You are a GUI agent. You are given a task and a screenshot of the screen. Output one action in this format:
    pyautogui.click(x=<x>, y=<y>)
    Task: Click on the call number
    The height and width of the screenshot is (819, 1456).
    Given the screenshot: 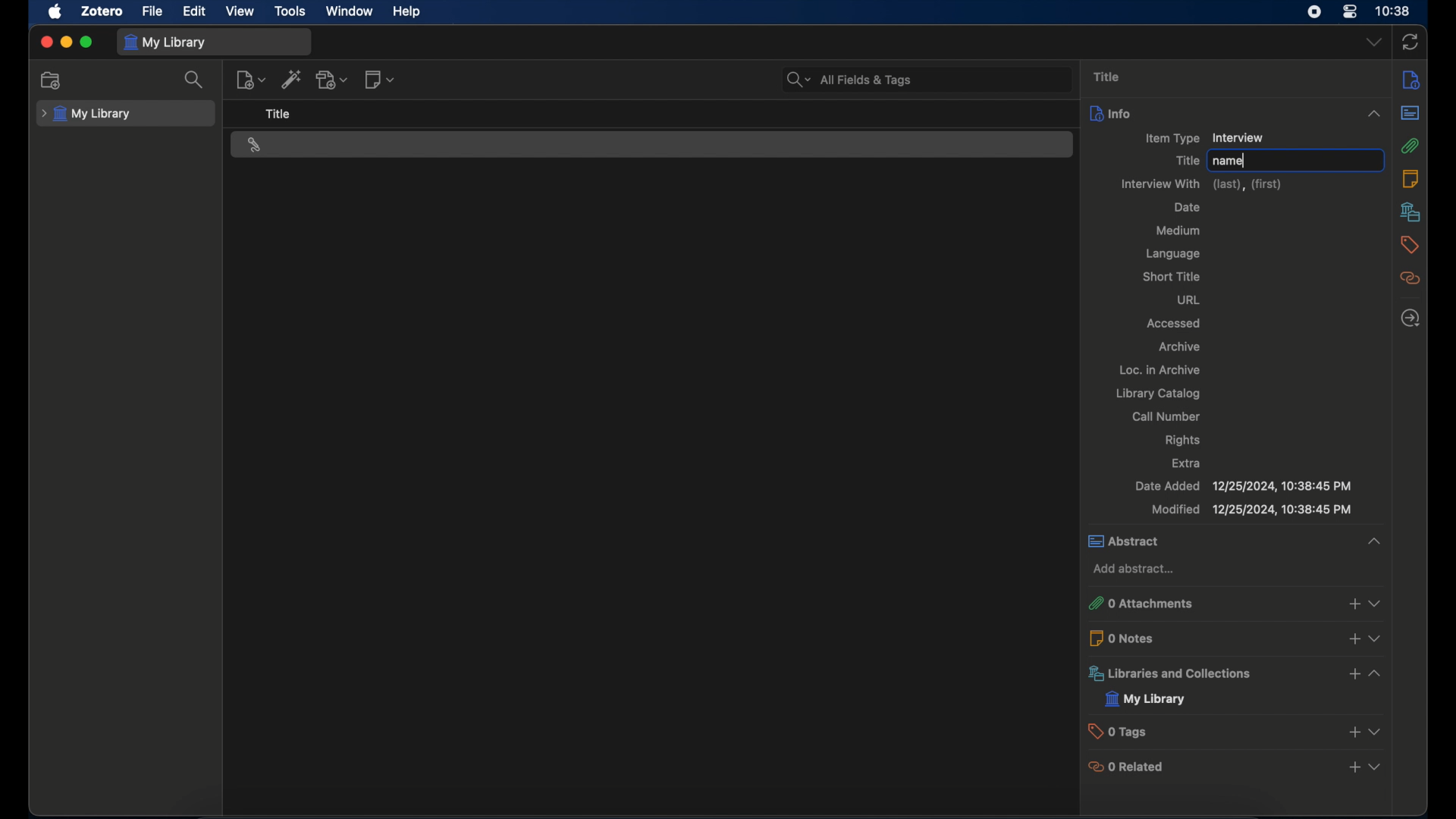 What is the action you would take?
    pyautogui.click(x=1169, y=416)
    